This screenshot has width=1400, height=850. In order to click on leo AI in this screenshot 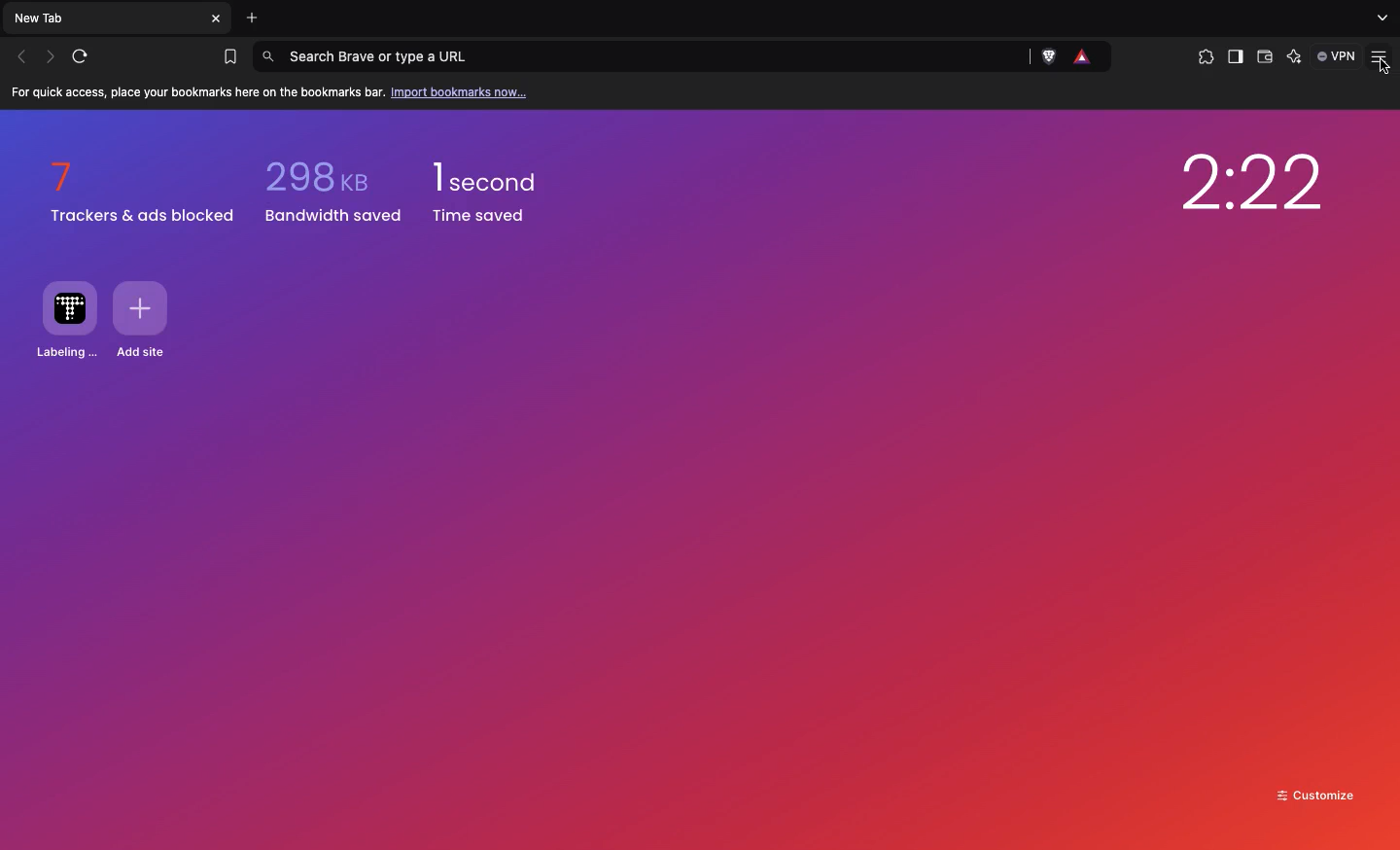, I will do `click(1294, 57)`.